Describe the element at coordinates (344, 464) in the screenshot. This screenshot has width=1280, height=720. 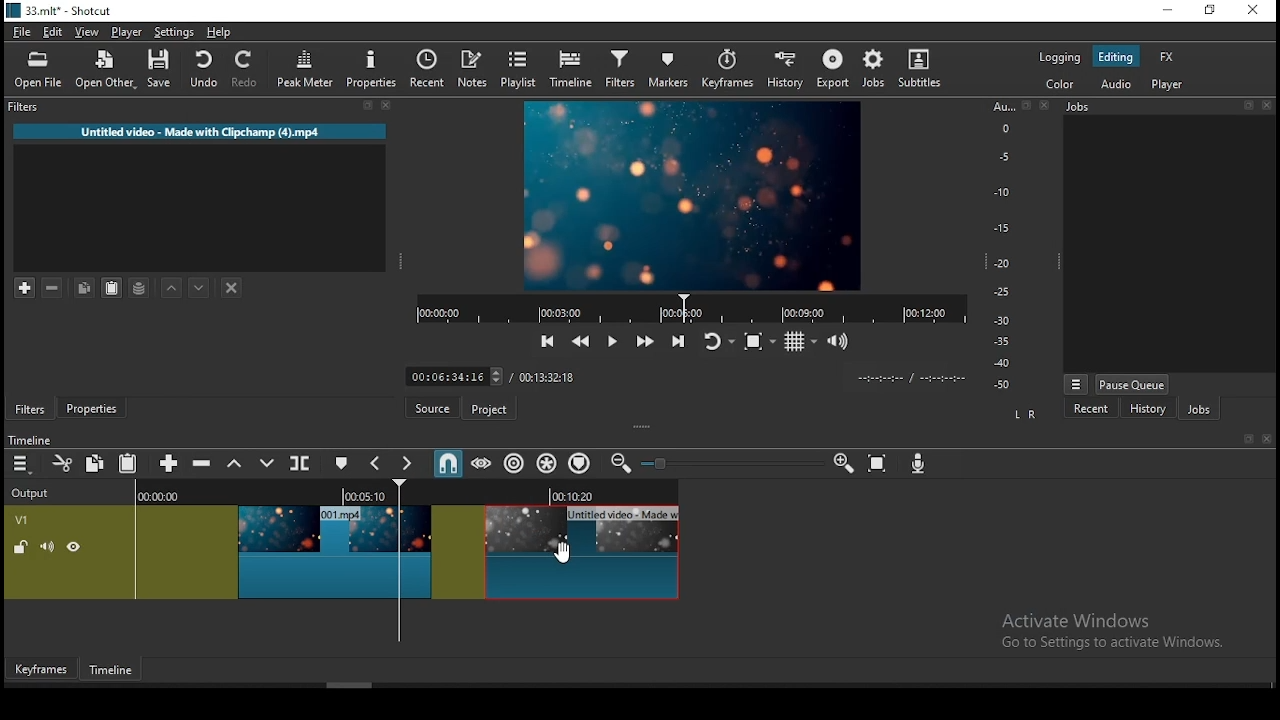
I see `create/edit marker` at that location.